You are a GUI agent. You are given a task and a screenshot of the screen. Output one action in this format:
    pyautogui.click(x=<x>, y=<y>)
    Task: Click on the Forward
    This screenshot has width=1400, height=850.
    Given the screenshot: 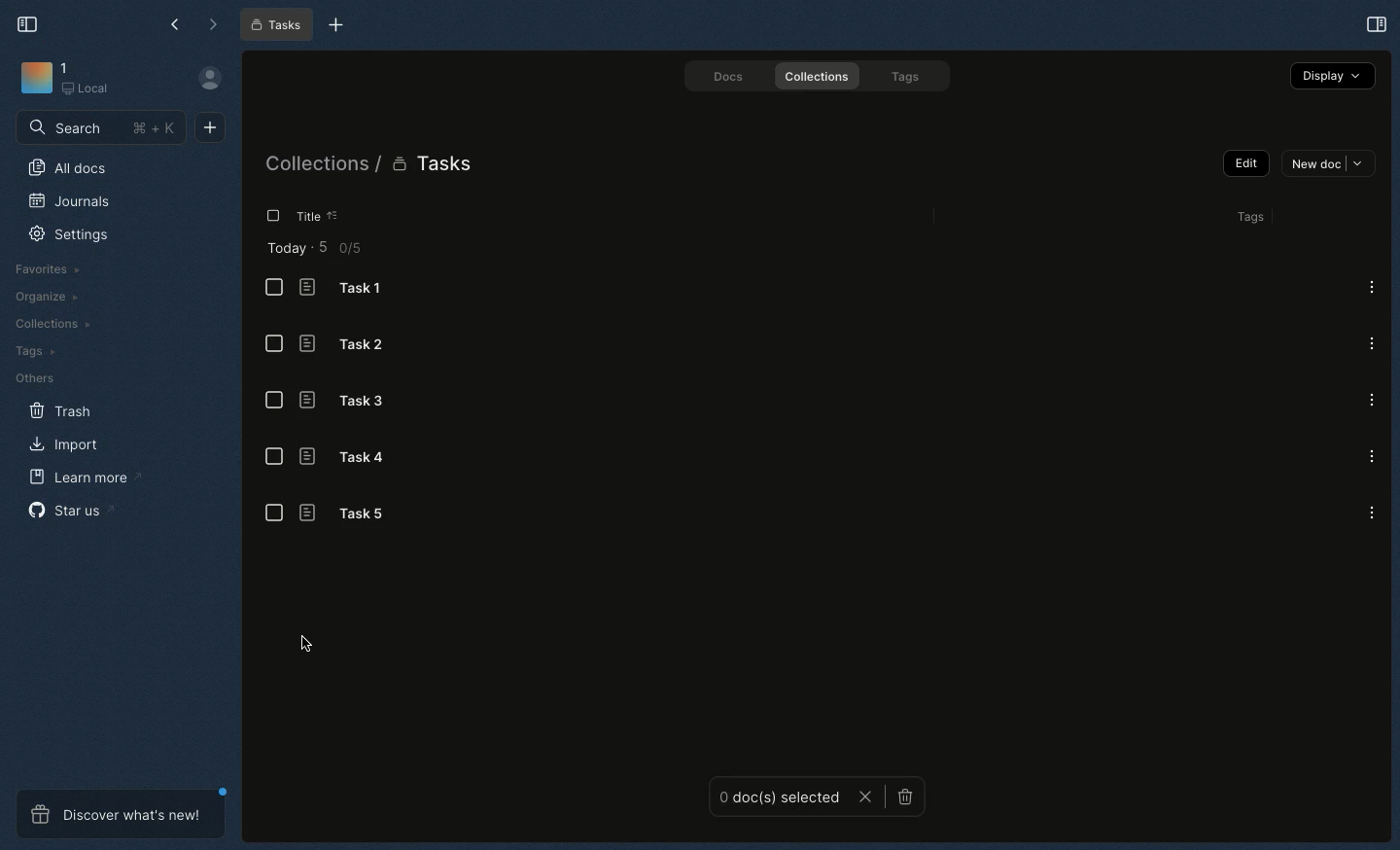 What is the action you would take?
    pyautogui.click(x=215, y=25)
    